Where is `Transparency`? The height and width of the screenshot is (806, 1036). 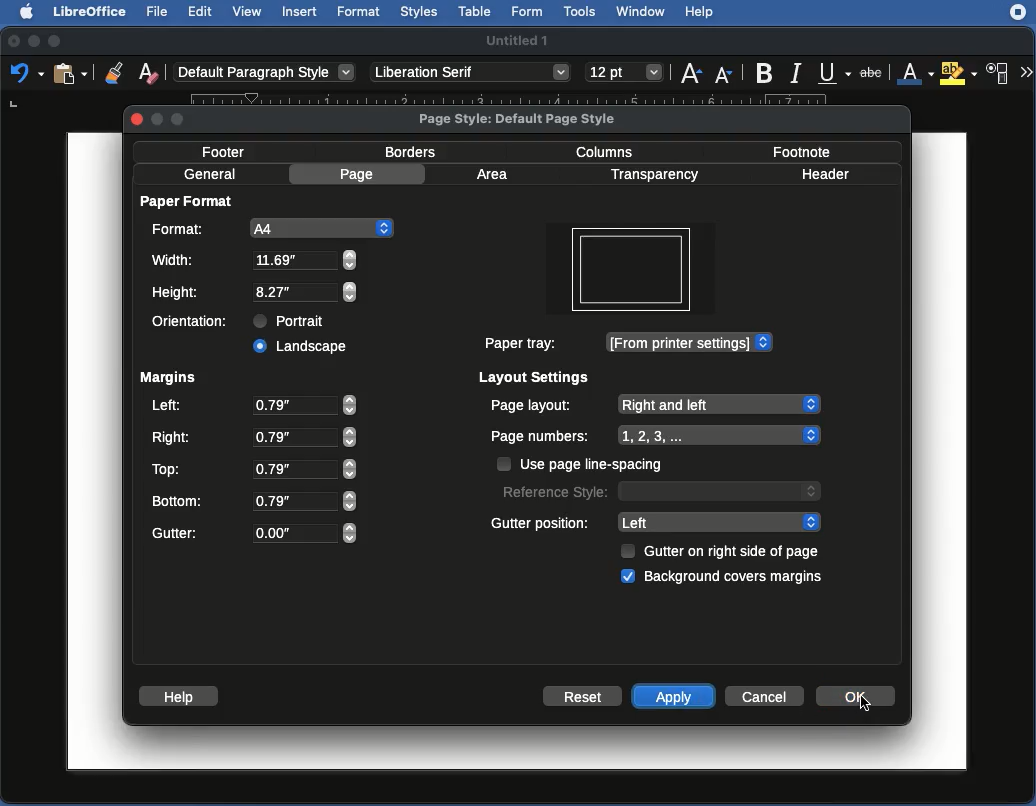 Transparency is located at coordinates (660, 175).